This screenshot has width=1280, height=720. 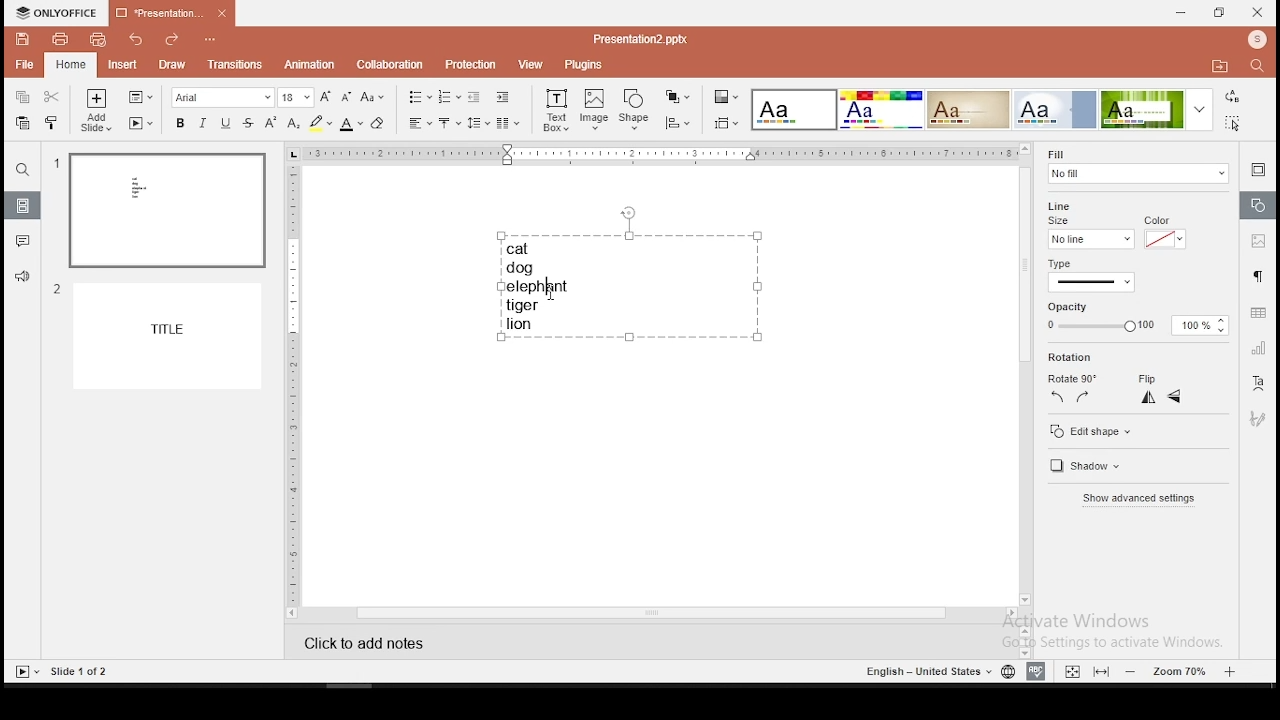 What do you see at coordinates (21, 277) in the screenshot?
I see `support and feedback` at bounding box center [21, 277].